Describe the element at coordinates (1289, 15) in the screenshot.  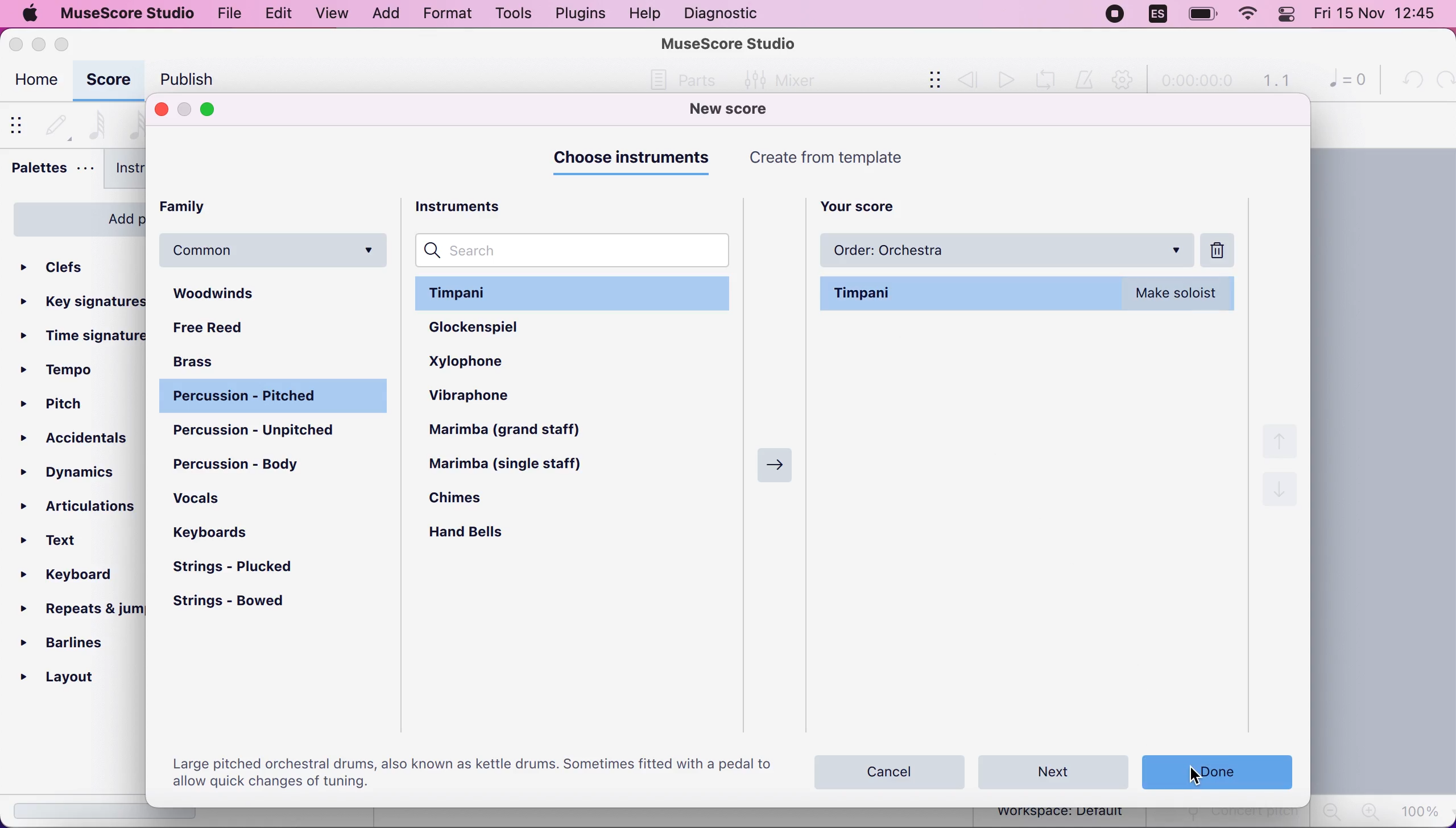
I see `panel control` at that location.